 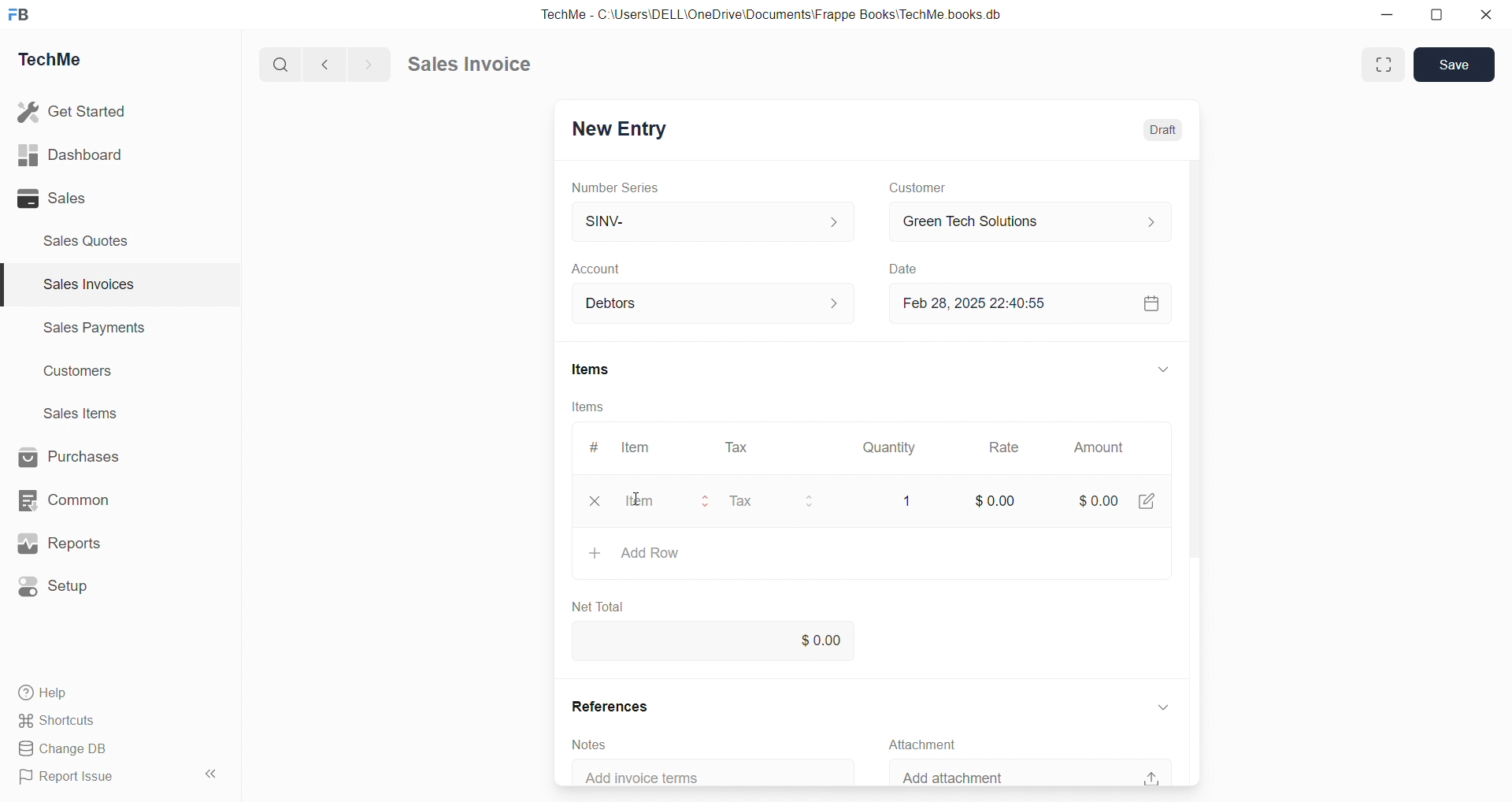 What do you see at coordinates (921, 745) in the screenshot?
I see `Attachment` at bounding box center [921, 745].